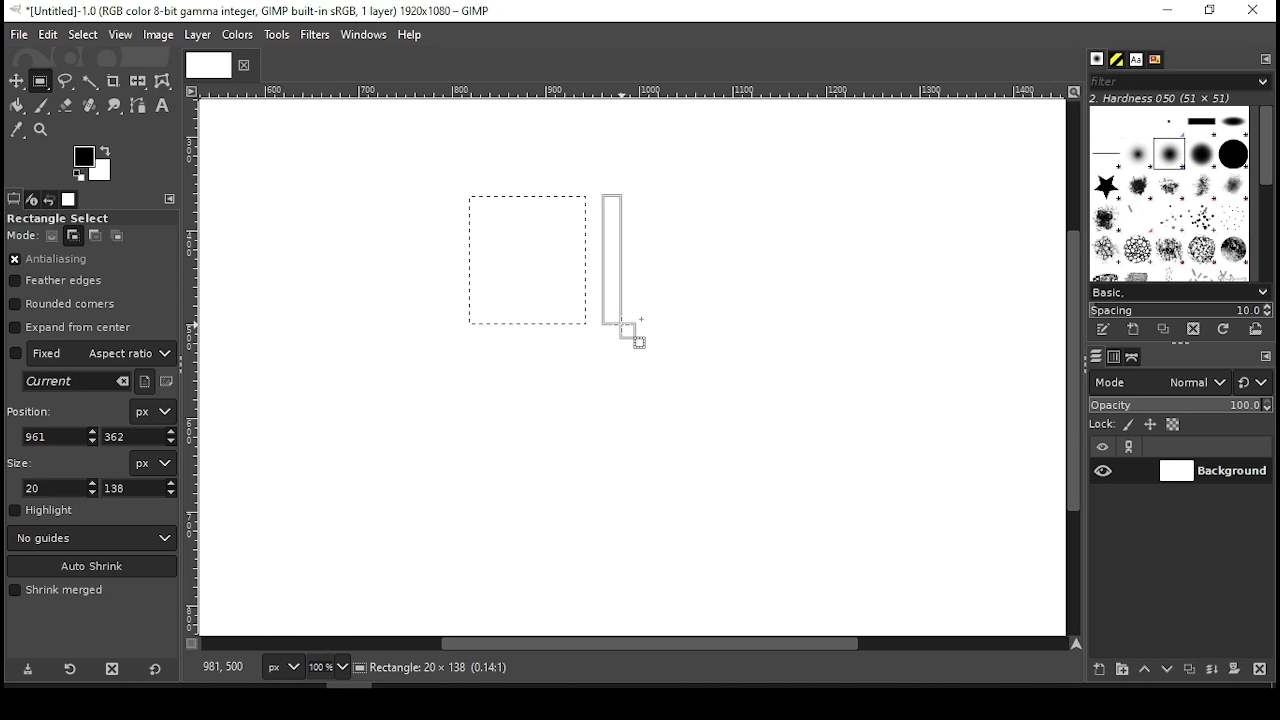 The width and height of the screenshot is (1280, 720). What do you see at coordinates (630, 333) in the screenshot?
I see `mouse pointer` at bounding box center [630, 333].